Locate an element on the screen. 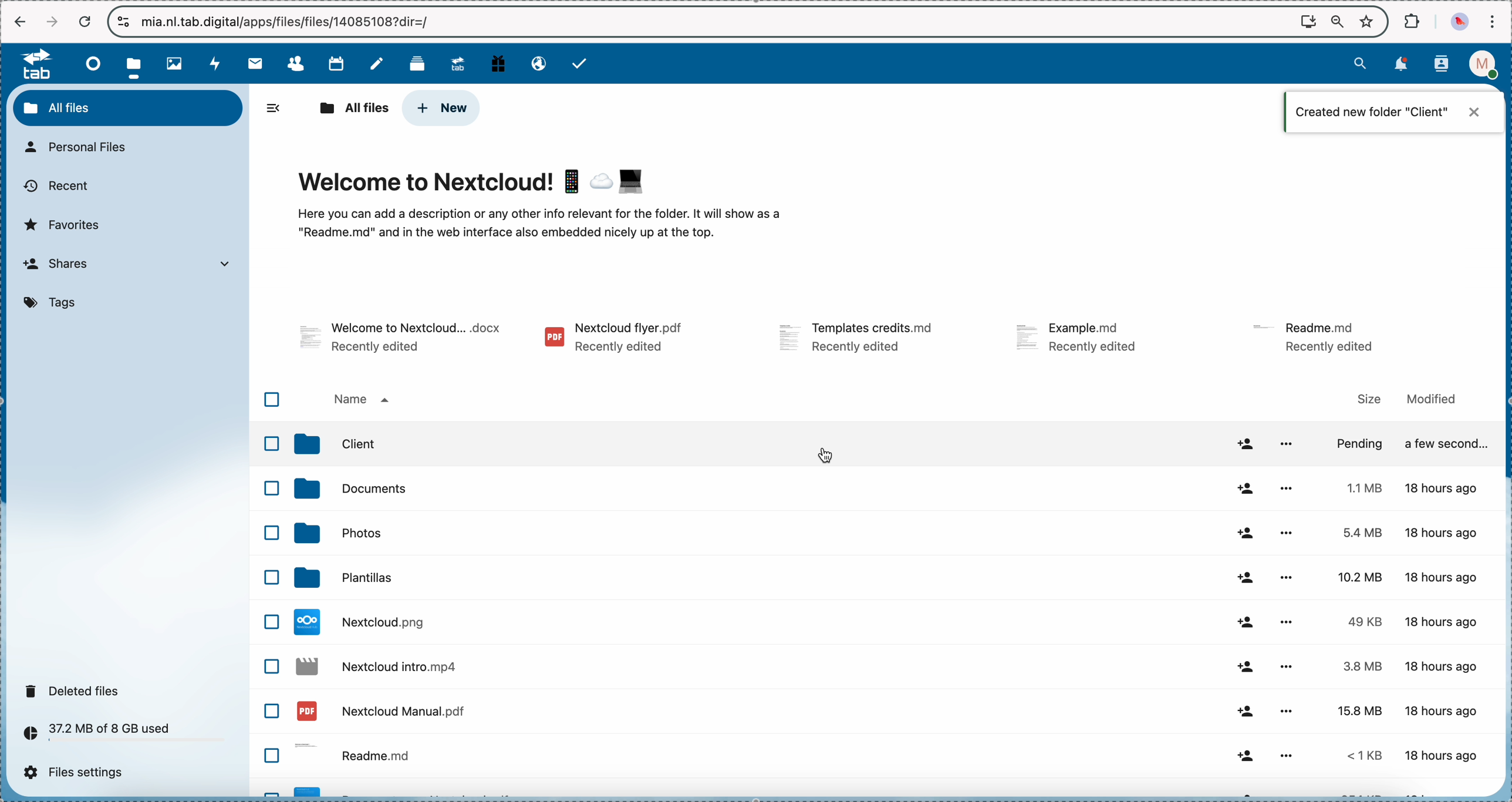 The width and height of the screenshot is (1512, 802). upgrade is located at coordinates (458, 63).